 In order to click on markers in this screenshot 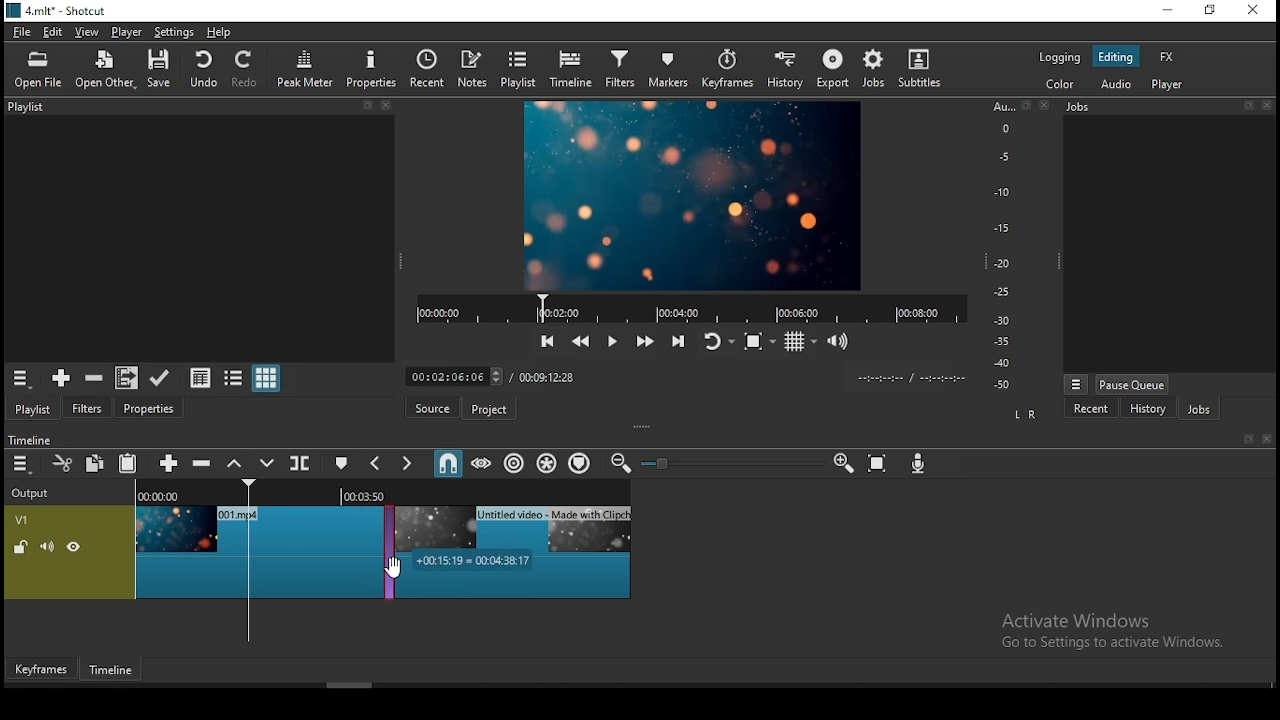, I will do `click(674, 68)`.